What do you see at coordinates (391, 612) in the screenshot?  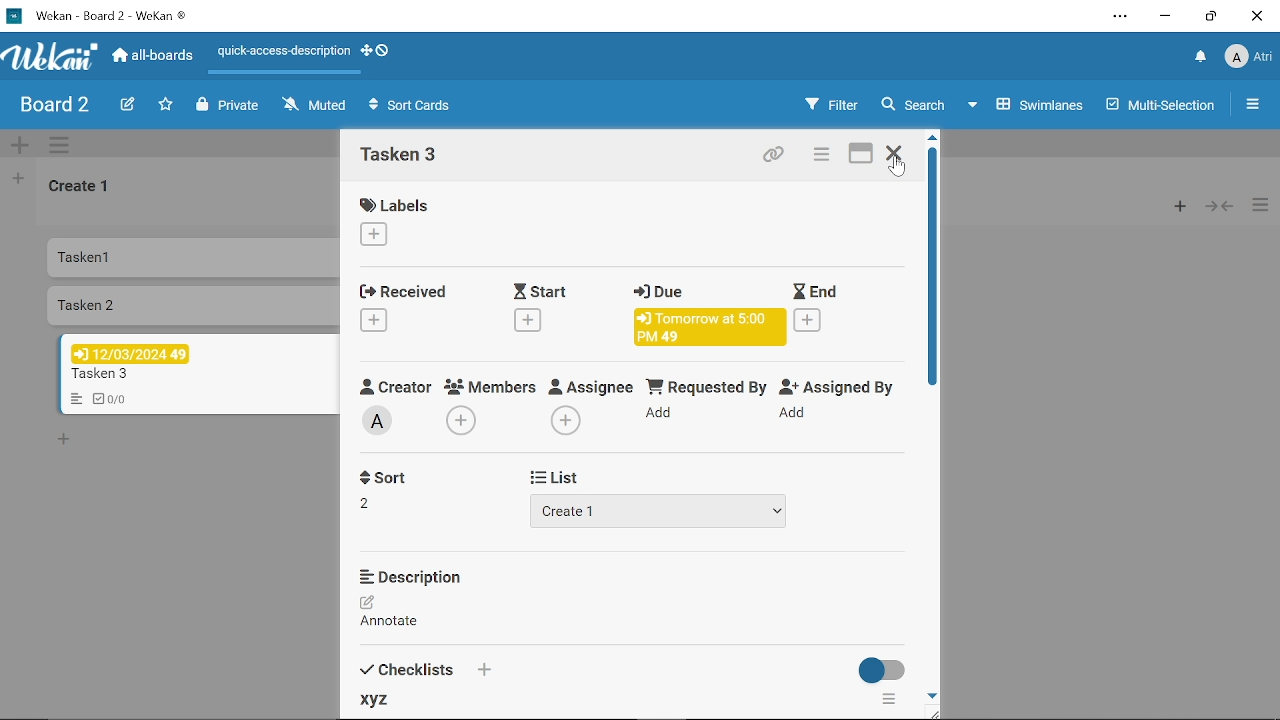 I see `Annotate` at bounding box center [391, 612].